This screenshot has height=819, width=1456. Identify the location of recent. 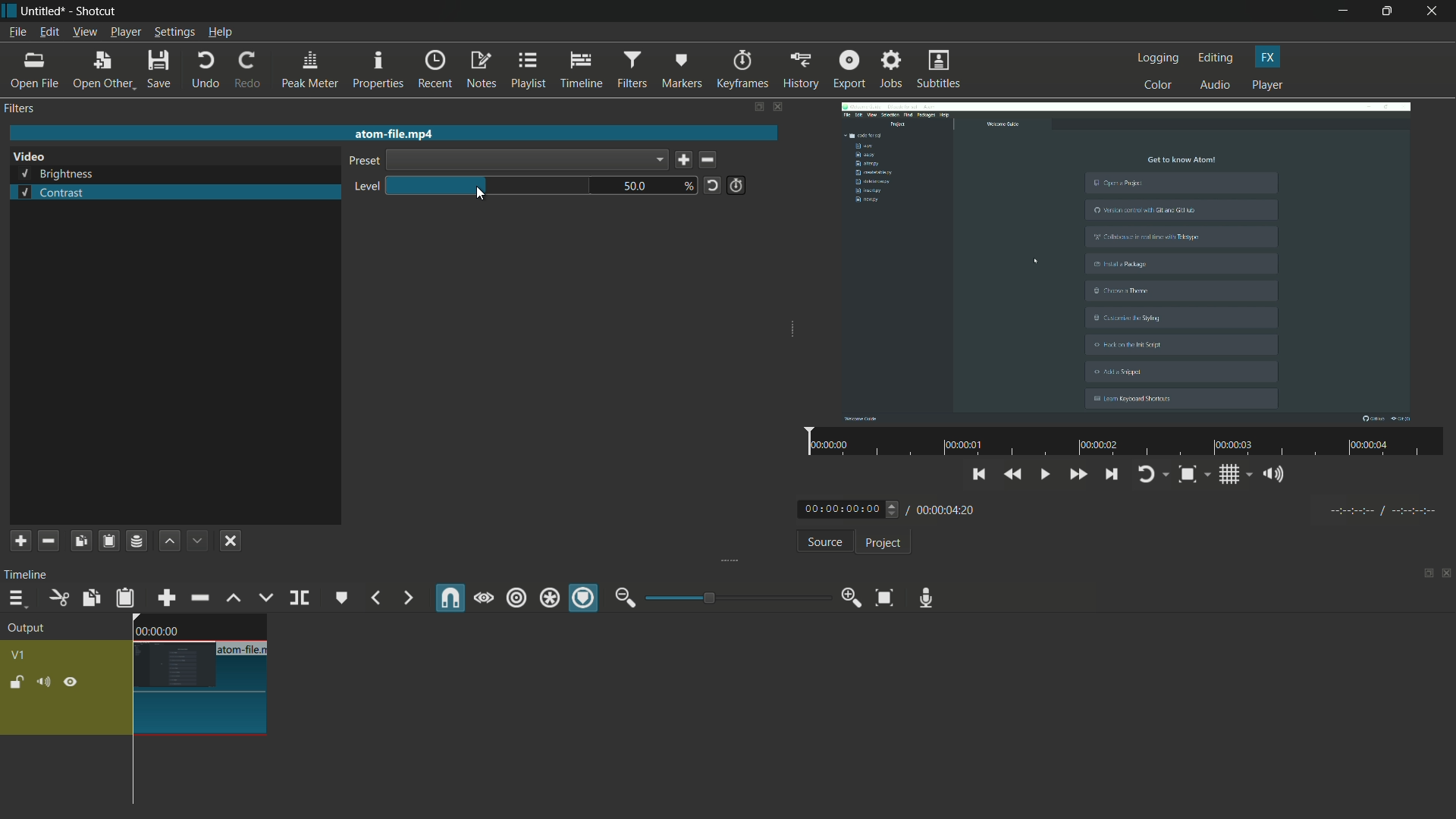
(437, 69).